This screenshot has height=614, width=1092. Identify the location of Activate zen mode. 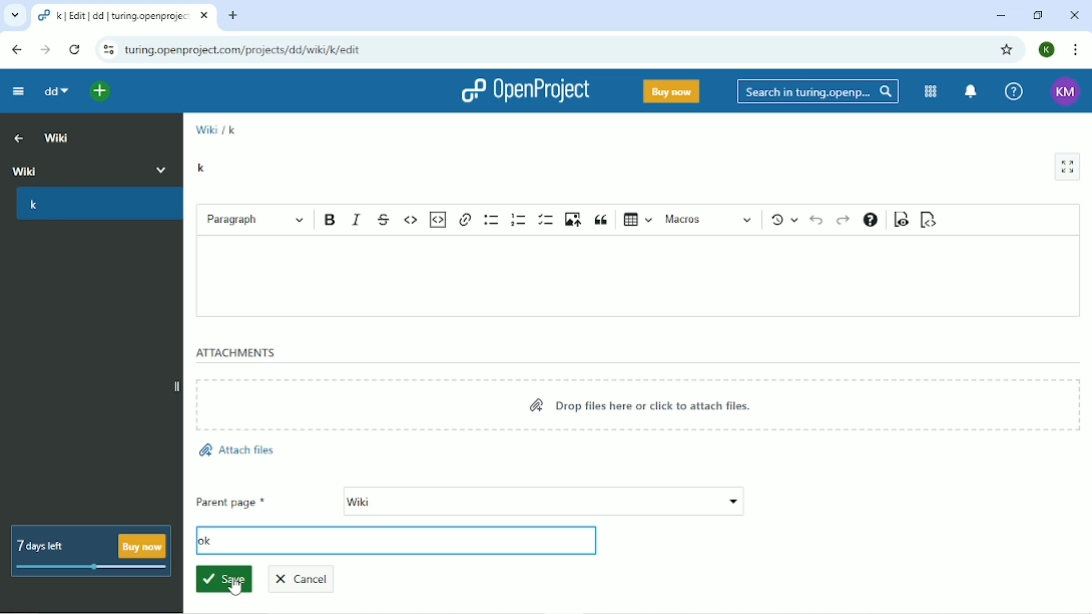
(1068, 167).